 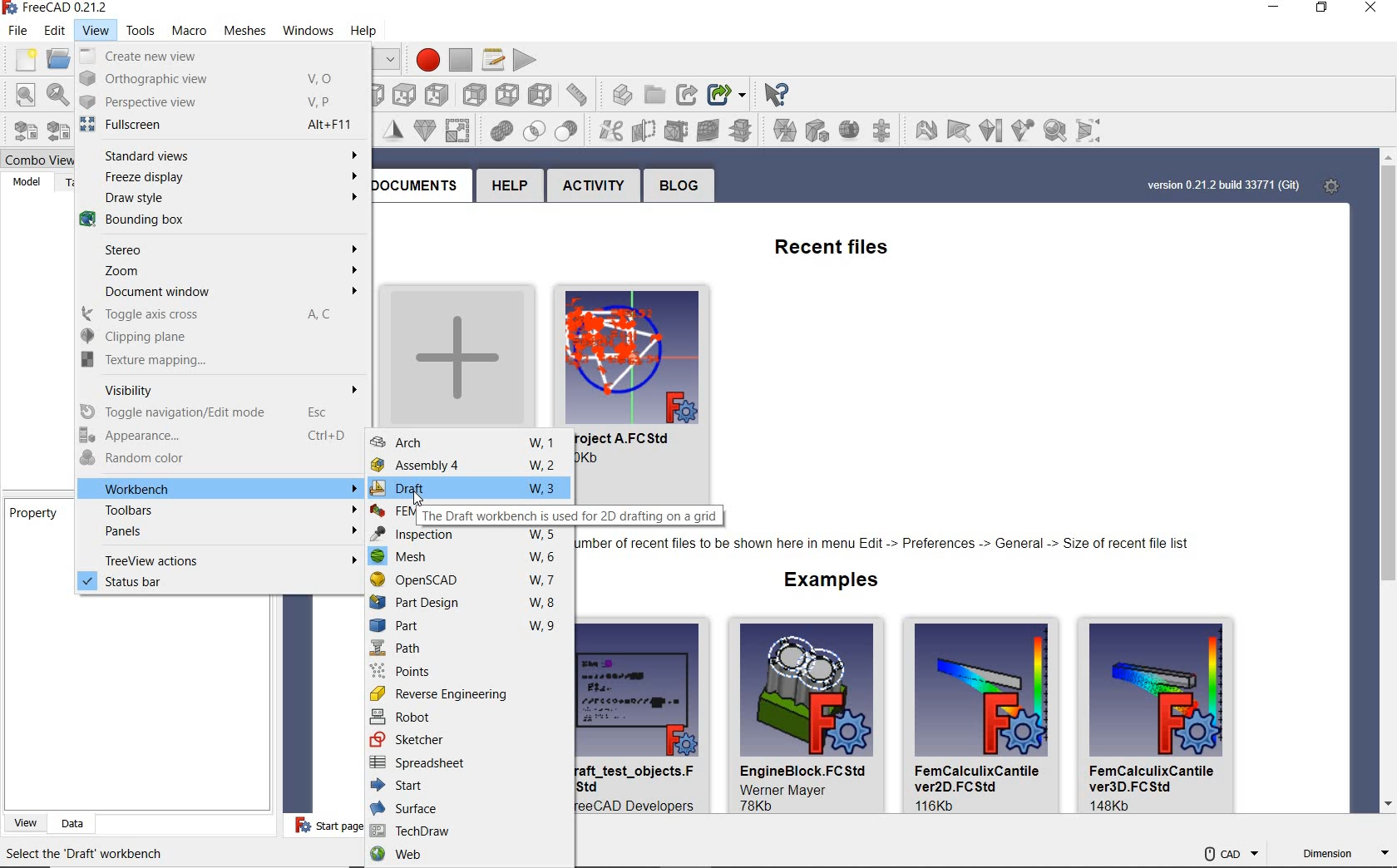 What do you see at coordinates (469, 856) in the screenshot?
I see `web` at bounding box center [469, 856].